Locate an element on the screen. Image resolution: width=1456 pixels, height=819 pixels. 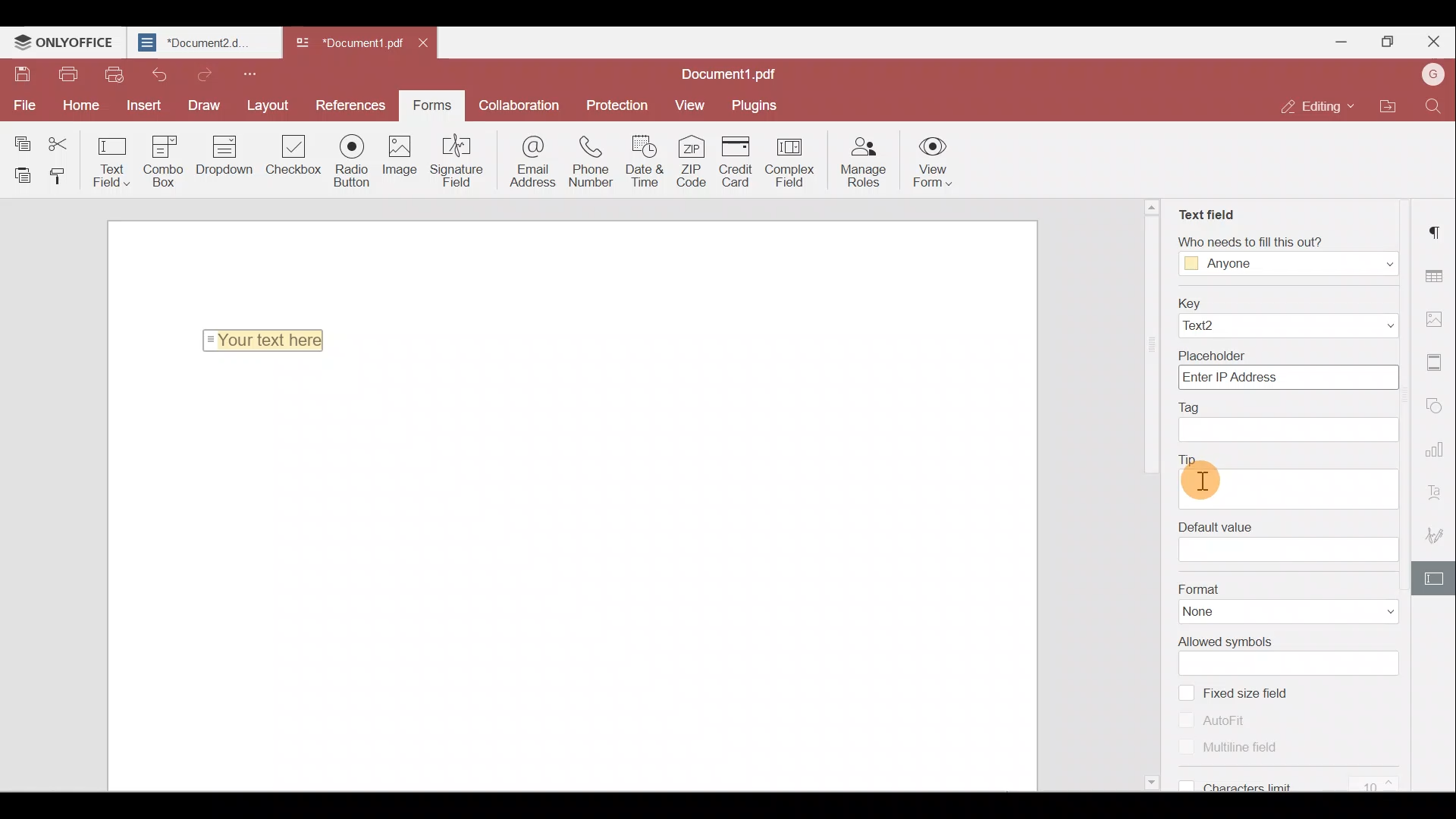
Quick print is located at coordinates (115, 76).